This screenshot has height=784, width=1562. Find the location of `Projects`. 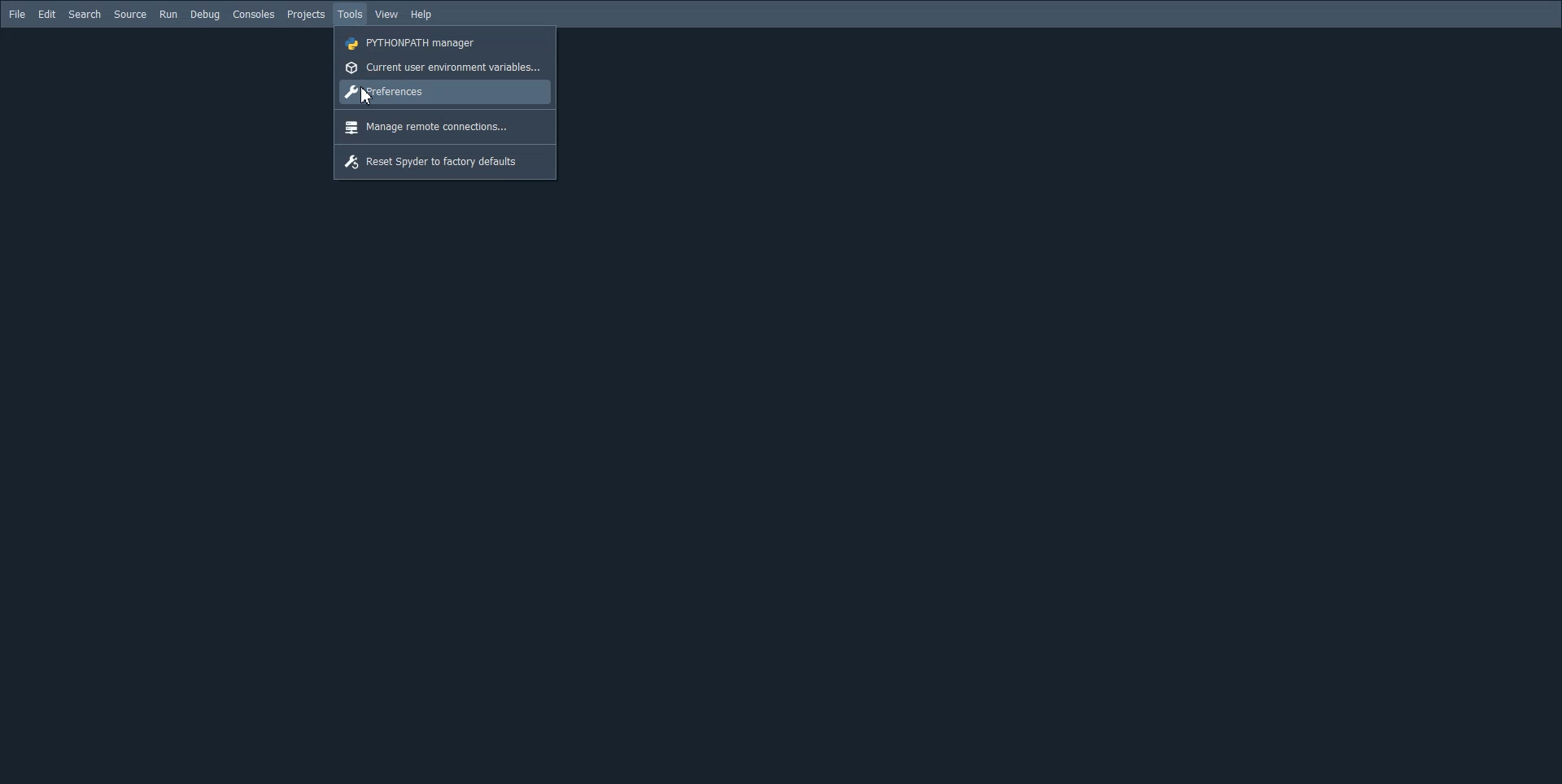

Projects is located at coordinates (306, 14).